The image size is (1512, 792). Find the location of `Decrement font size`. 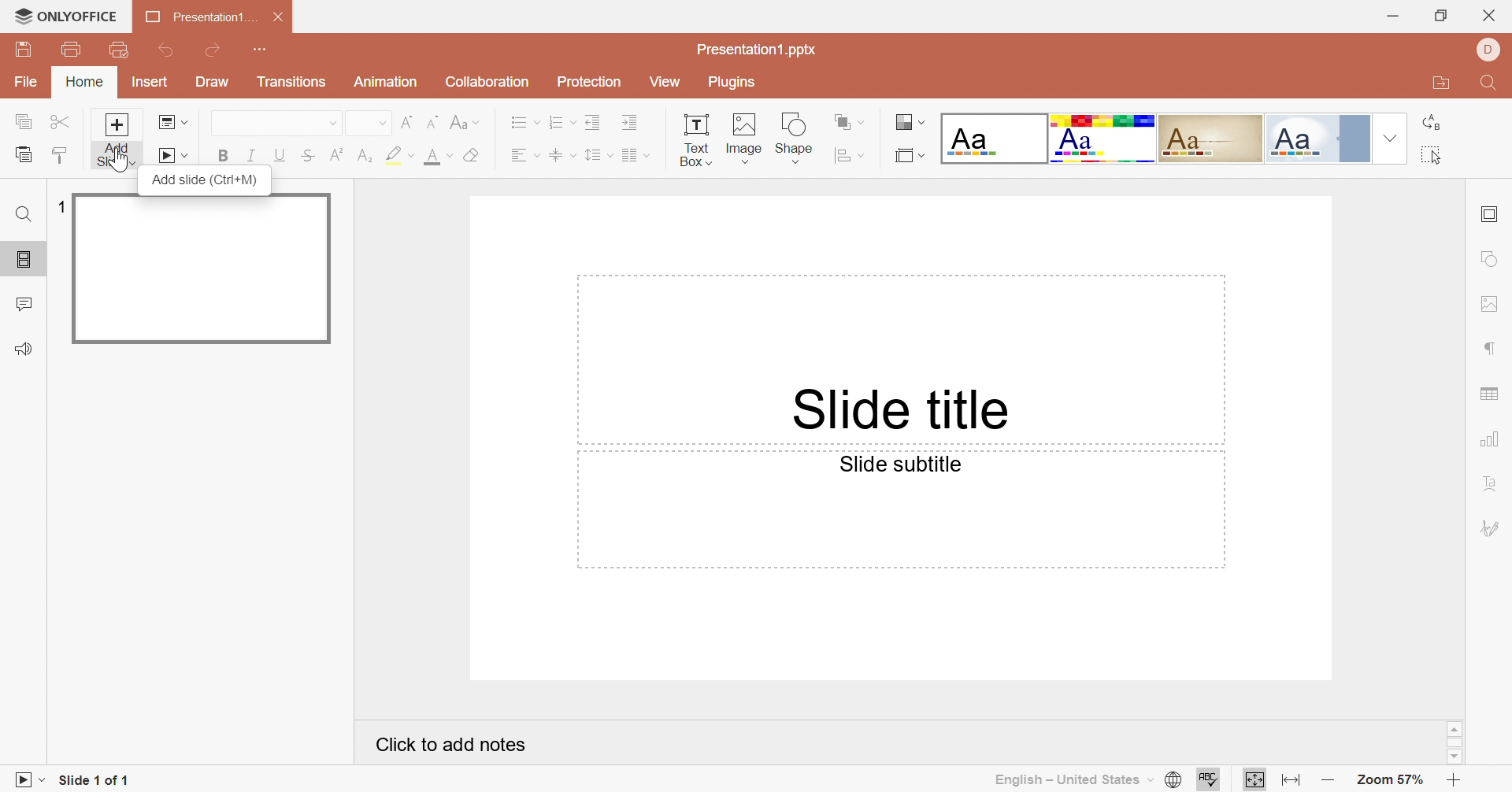

Decrement font size is located at coordinates (433, 121).